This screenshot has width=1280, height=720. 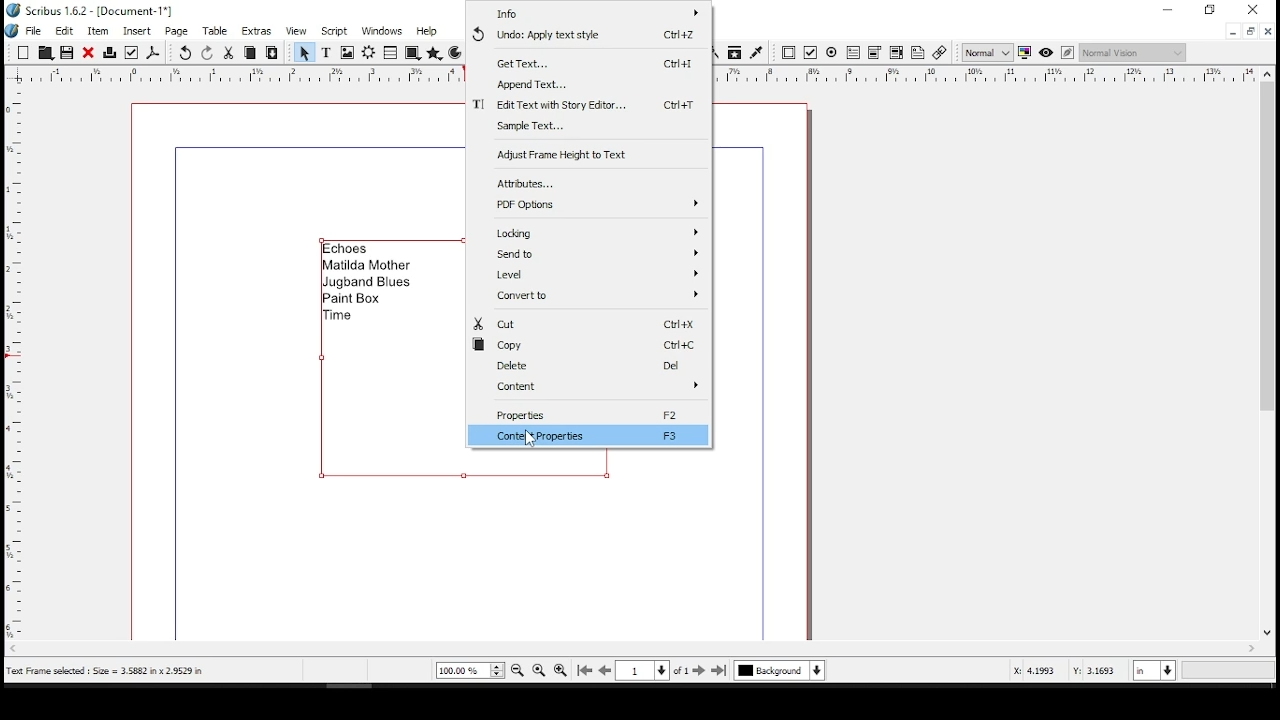 I want to click on echoes, so click(x=349, y=248).